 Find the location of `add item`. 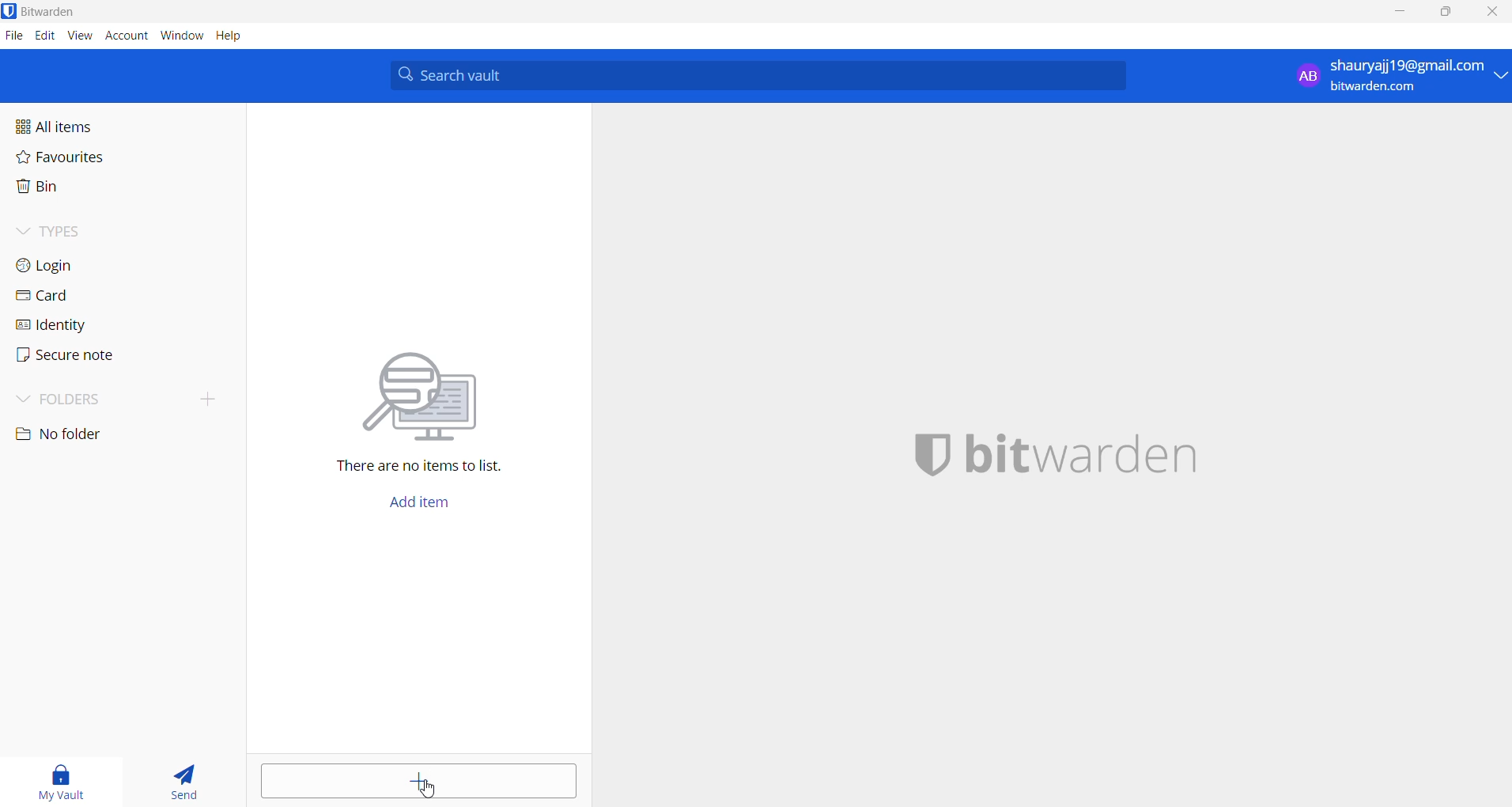

add item is located at coordinates (422, 784).